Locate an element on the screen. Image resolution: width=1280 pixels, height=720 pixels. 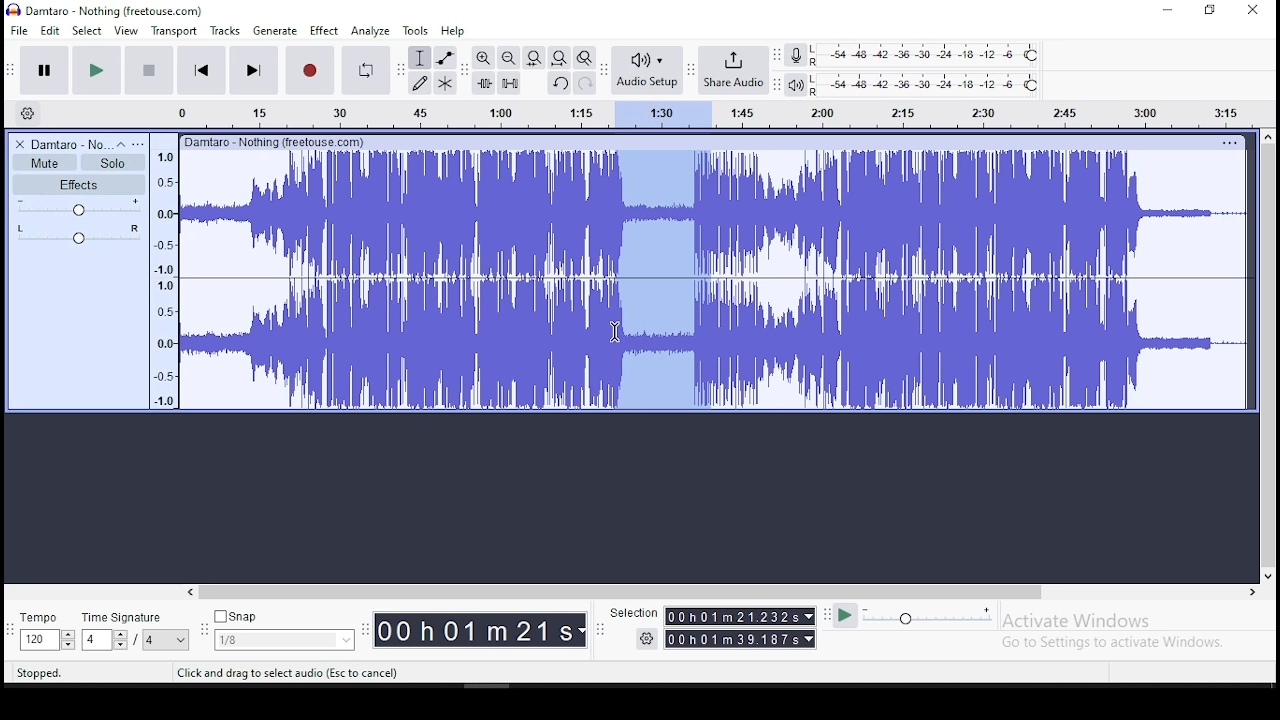
file is located at coordinates (21, 30).